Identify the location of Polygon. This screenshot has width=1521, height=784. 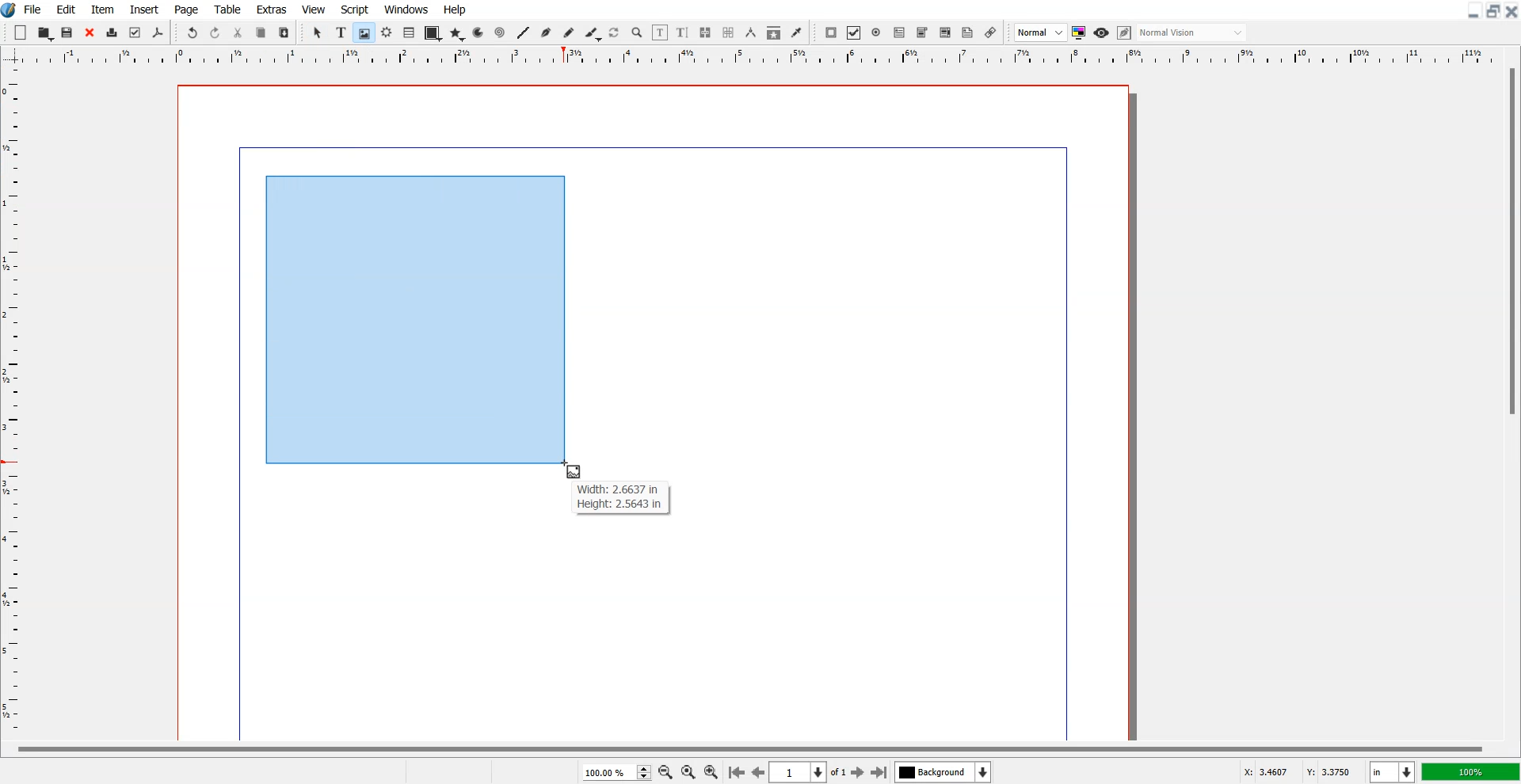
(457, 35).